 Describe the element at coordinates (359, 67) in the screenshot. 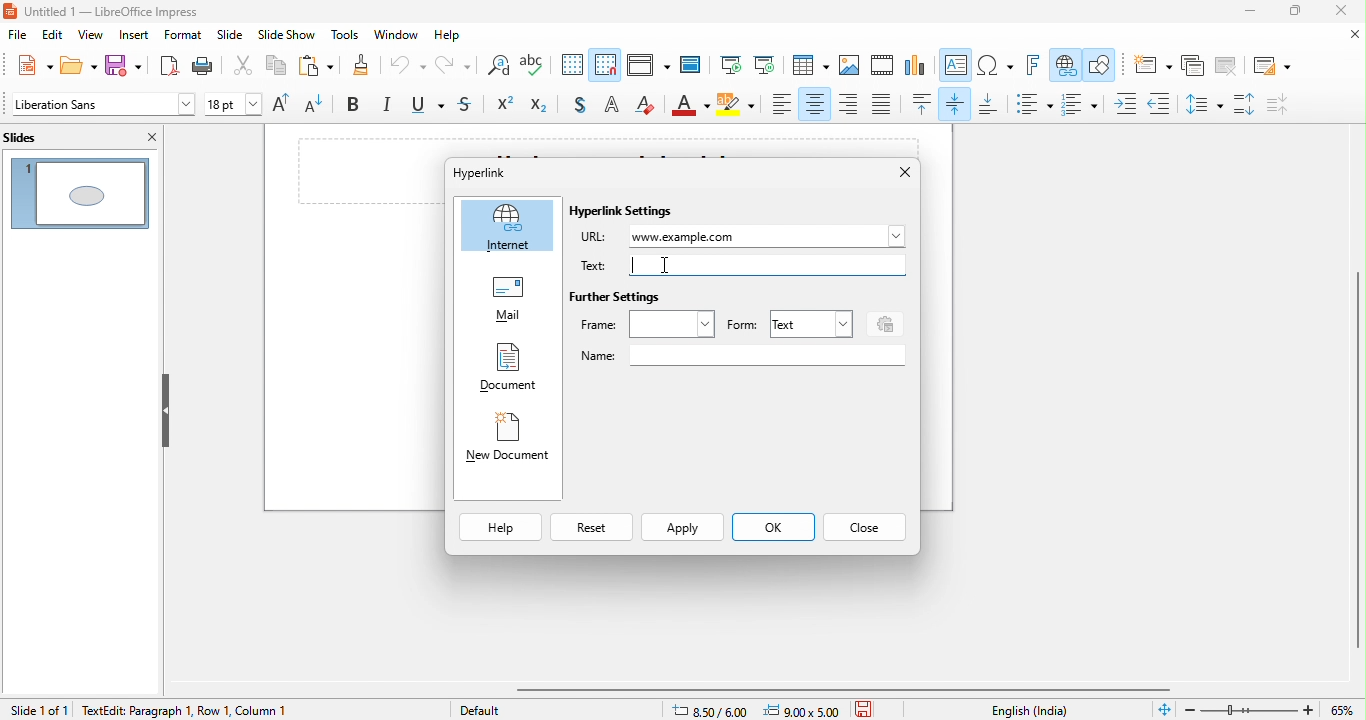

I see `clone formatting ` at that location.